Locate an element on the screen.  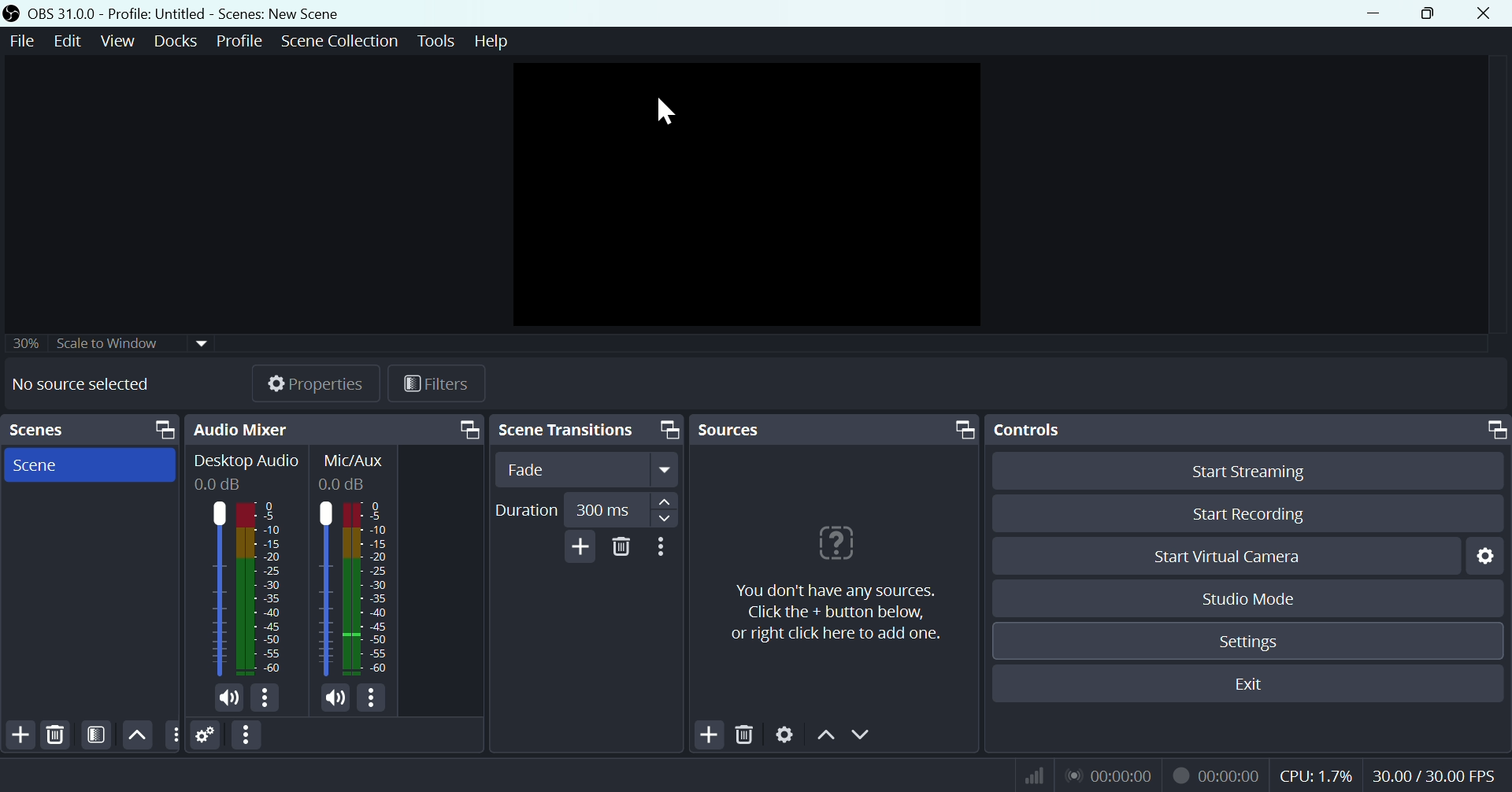
Add is located at coordinates (18, 735).